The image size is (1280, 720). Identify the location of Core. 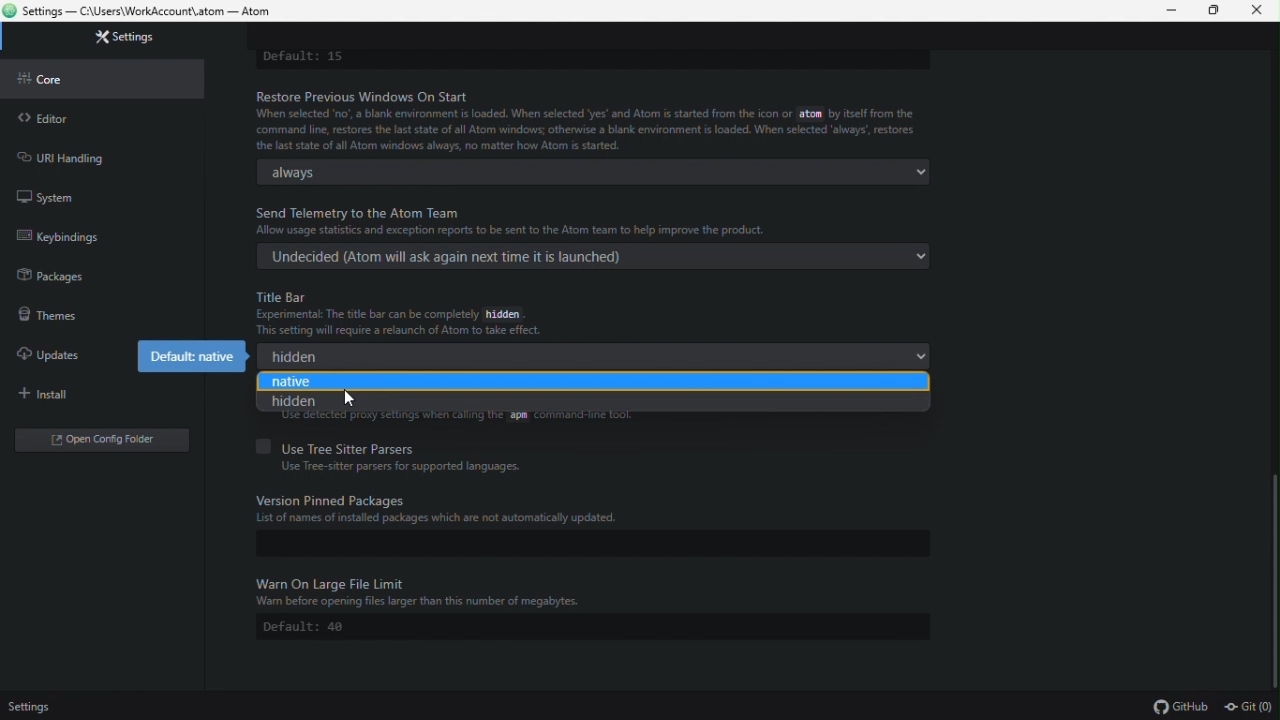
(110, 78).